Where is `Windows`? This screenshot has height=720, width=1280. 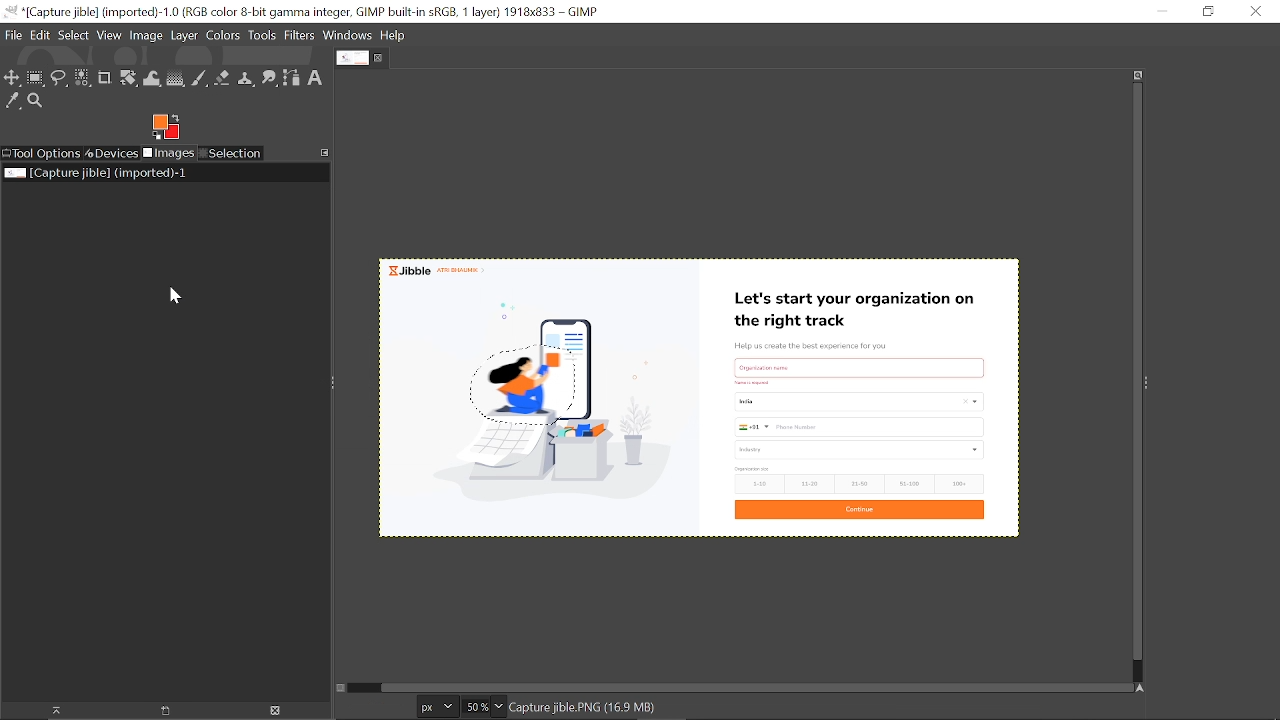
Windows is located at coordinates (349, 37).